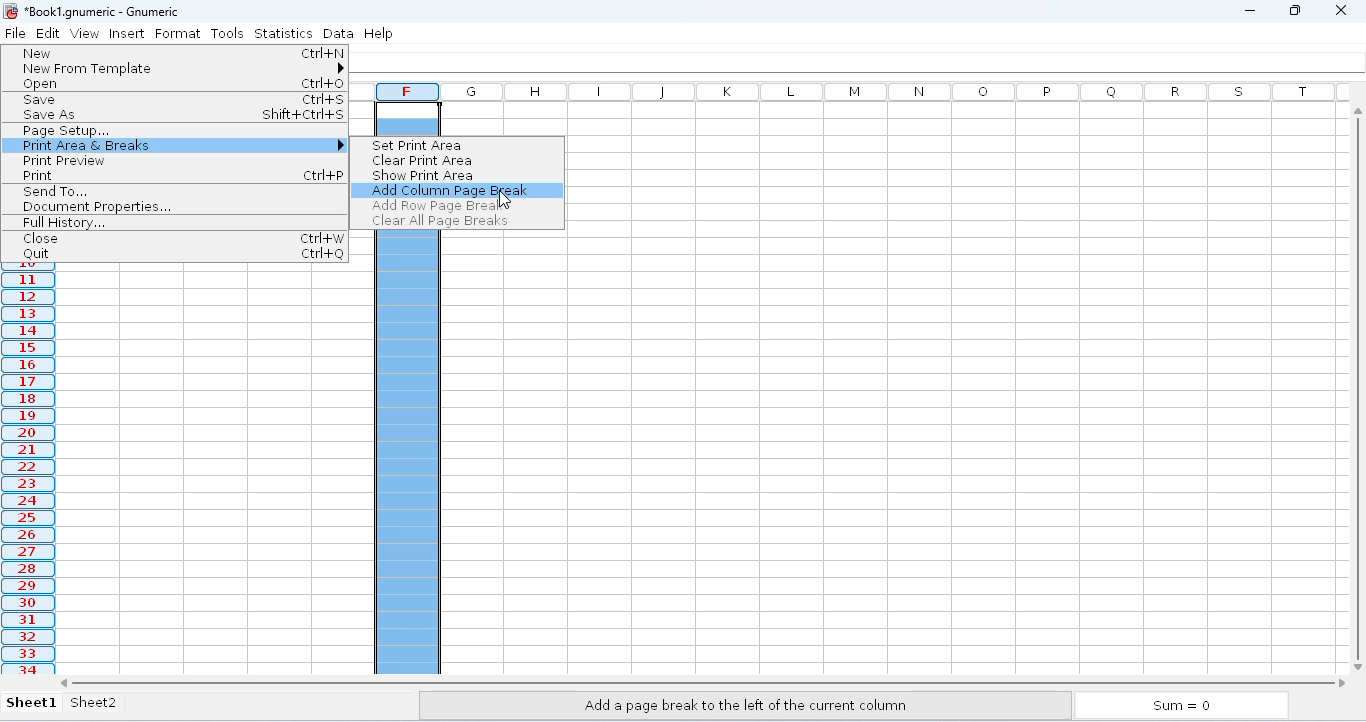  I want to click on shortcut for open, so click(323, 84).